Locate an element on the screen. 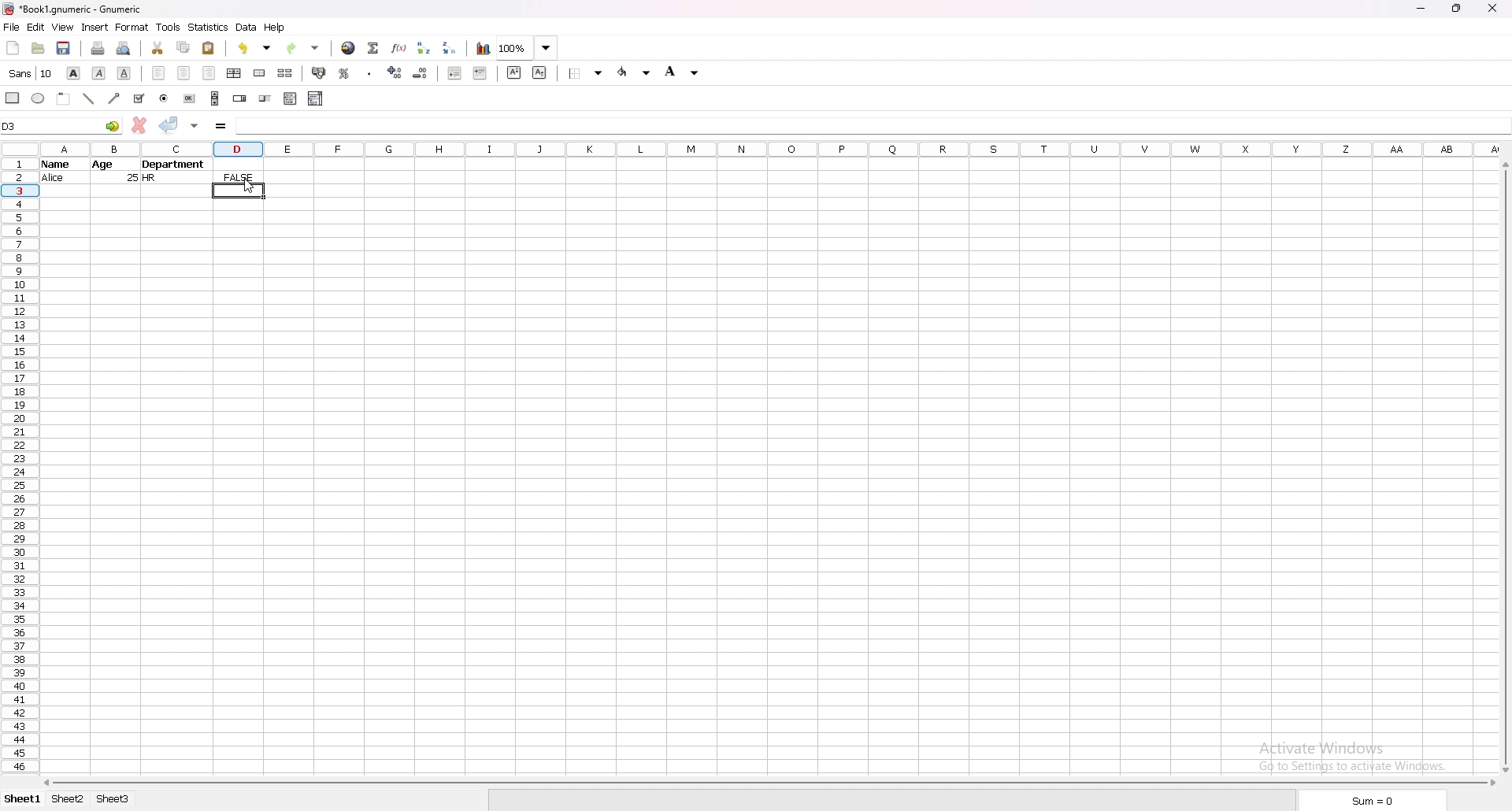  bold is located at coordinates (75, 72).